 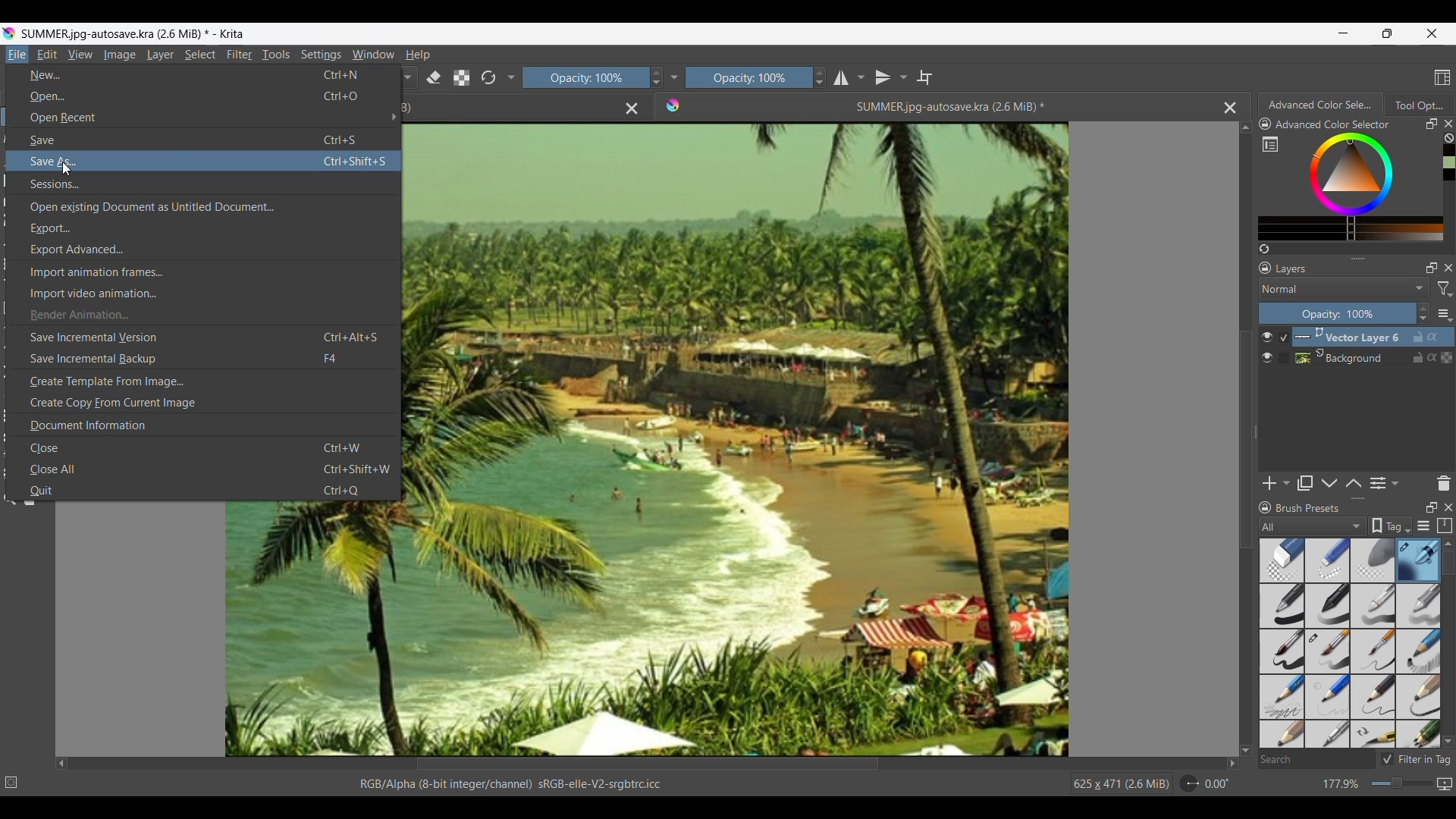 What do you see at coordinates (1448, 544) in the screenshot?
I see `Quick slide to top` at bounding box center [1448, 544].